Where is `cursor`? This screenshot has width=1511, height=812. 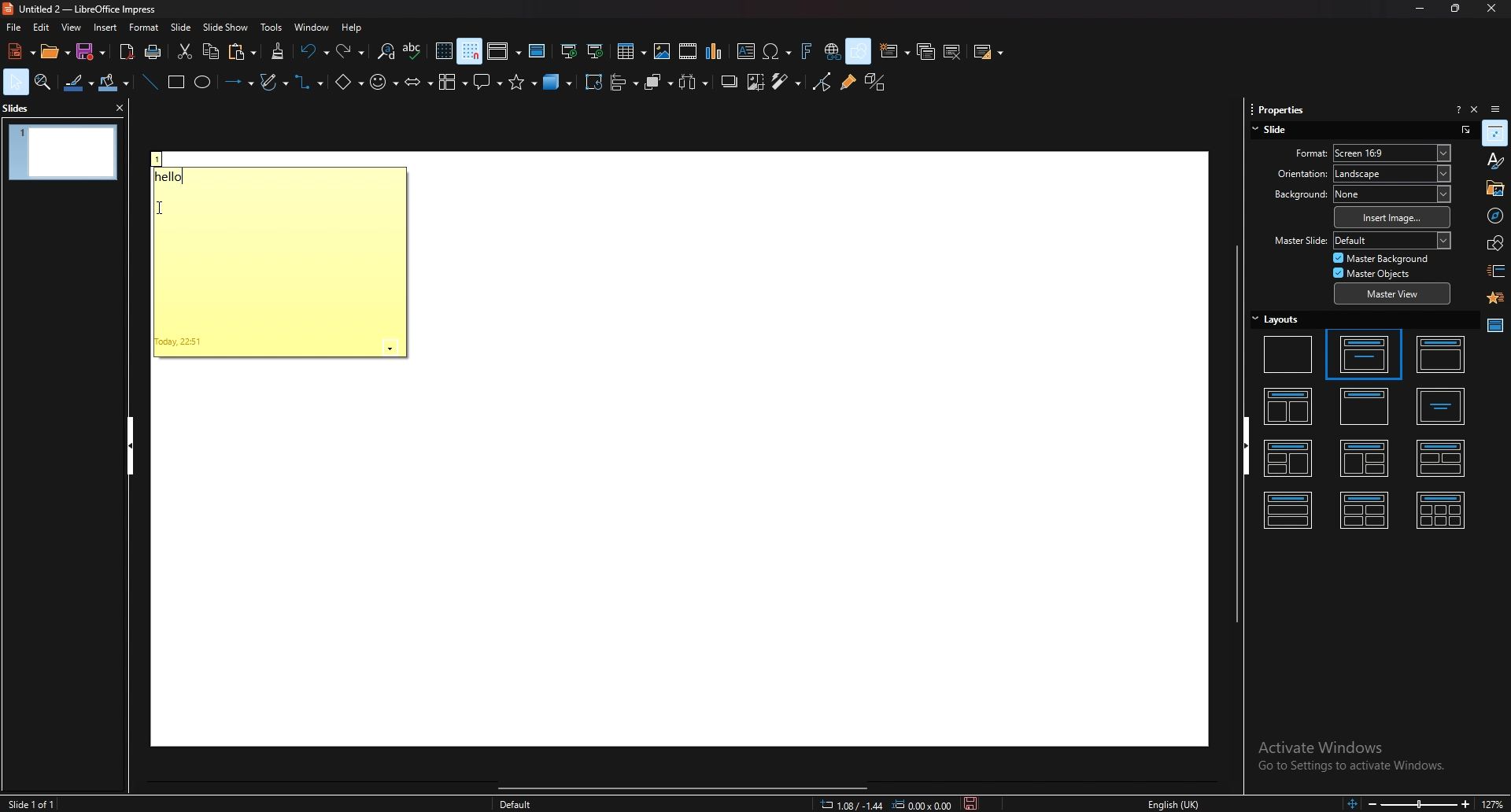 cursor is located at coordinates (161, 206).